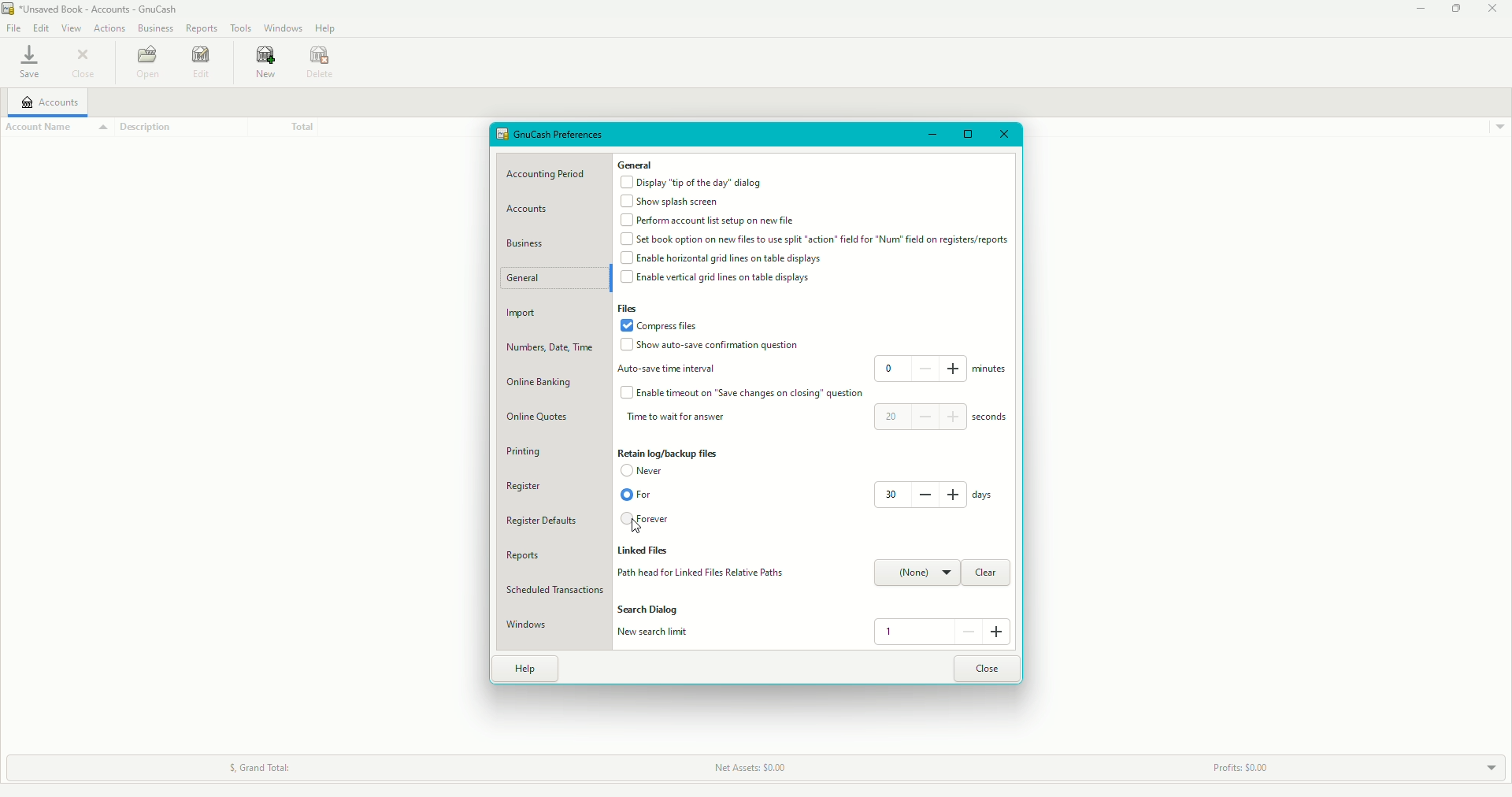  I want to click on Date, so click(323, 63).